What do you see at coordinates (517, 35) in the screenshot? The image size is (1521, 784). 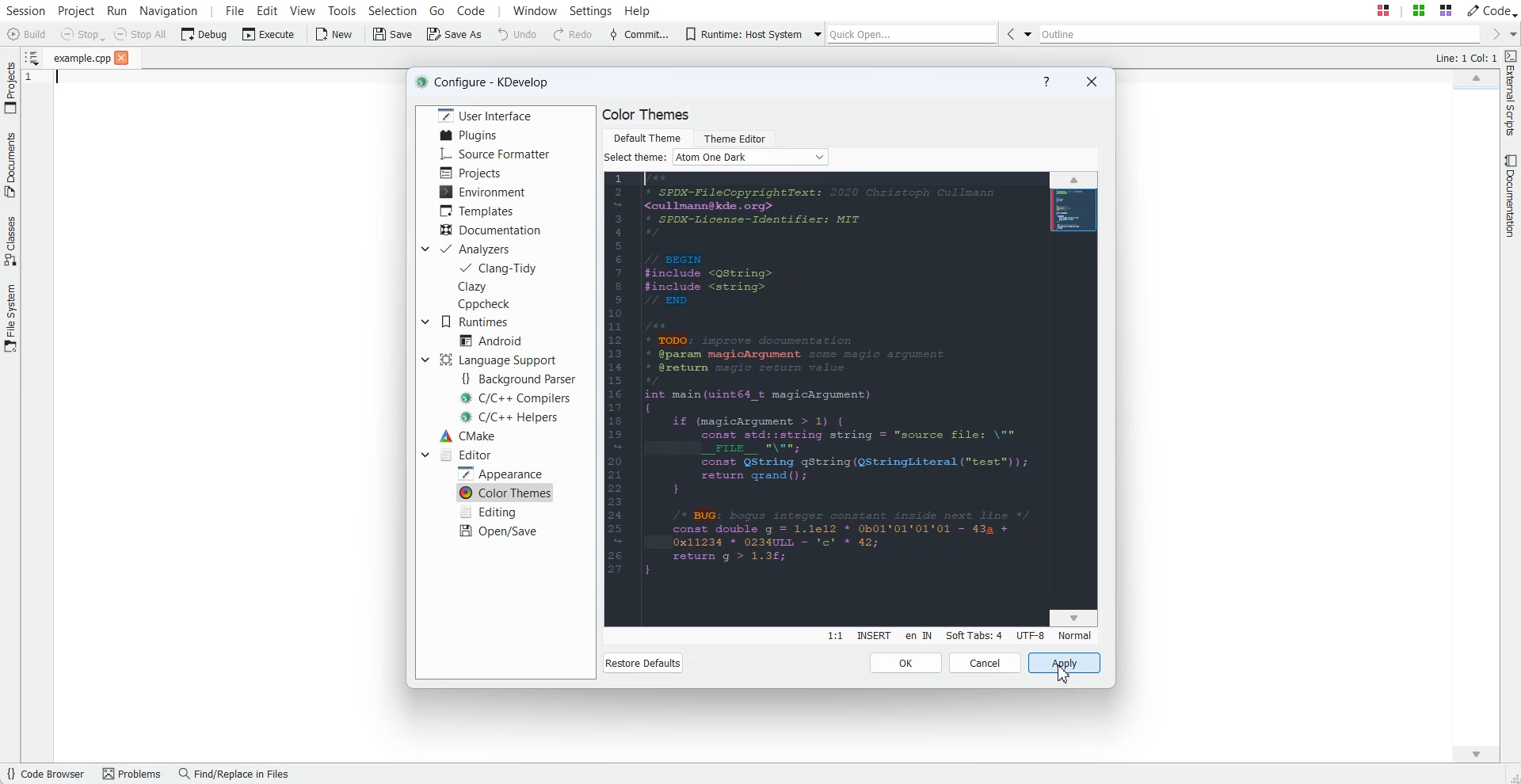 I see `Undo` at bounding box center [517, 35].